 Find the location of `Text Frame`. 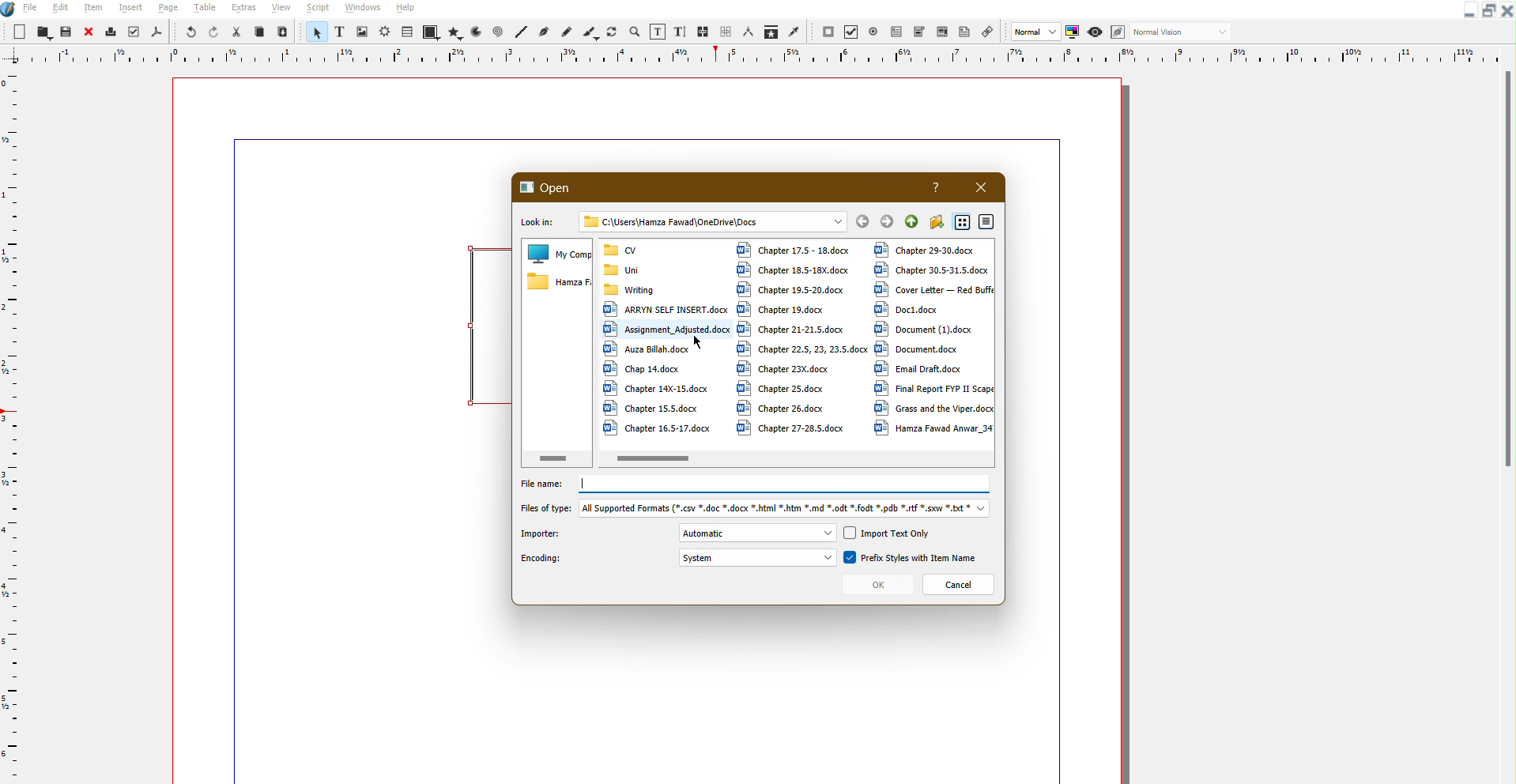

Text Frame is located at coordinates (473, 319).